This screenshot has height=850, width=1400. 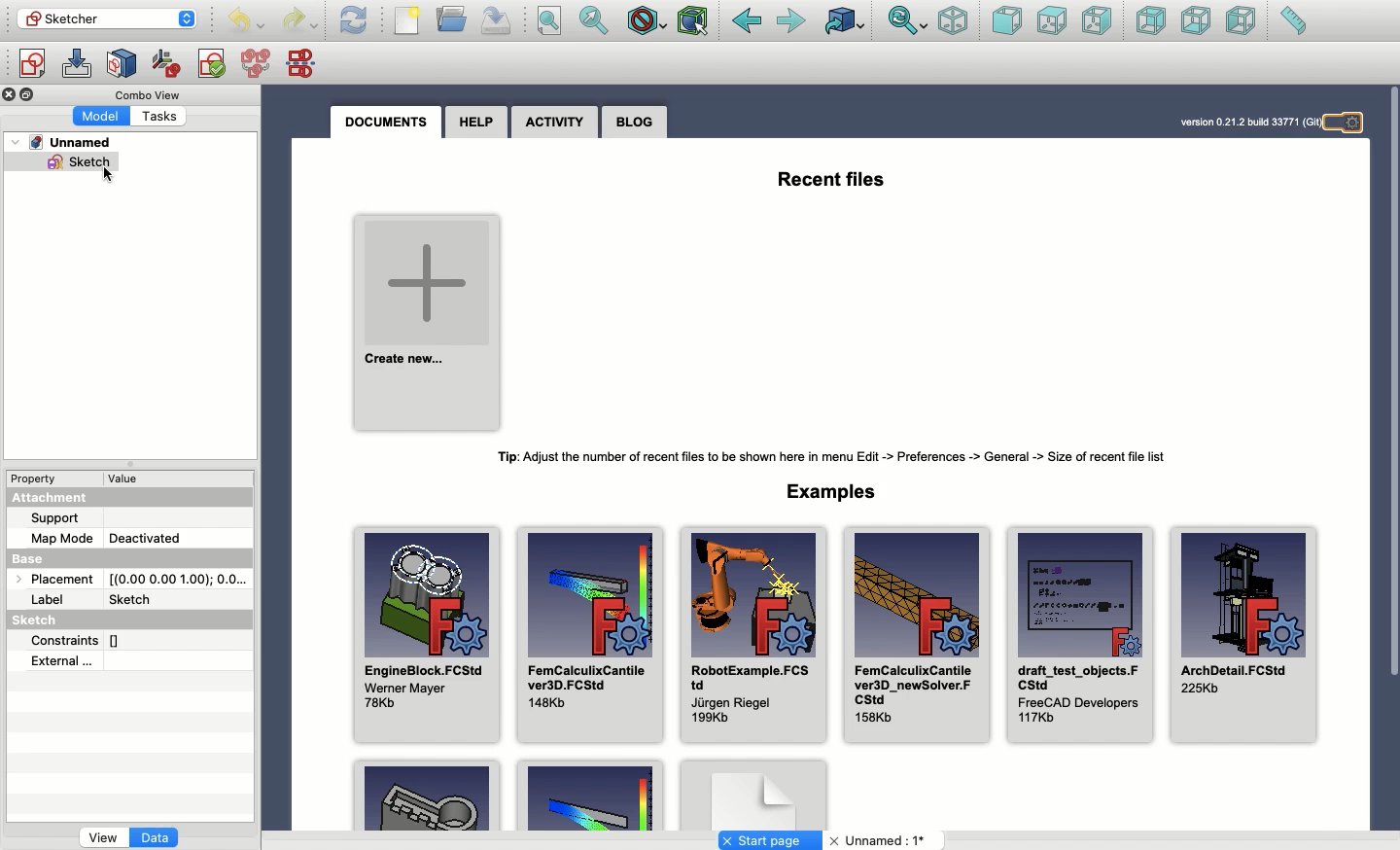 What do you see at coordinates (132, 478) in the screenshot?
I see `Value` at bounding box center [132, 478].